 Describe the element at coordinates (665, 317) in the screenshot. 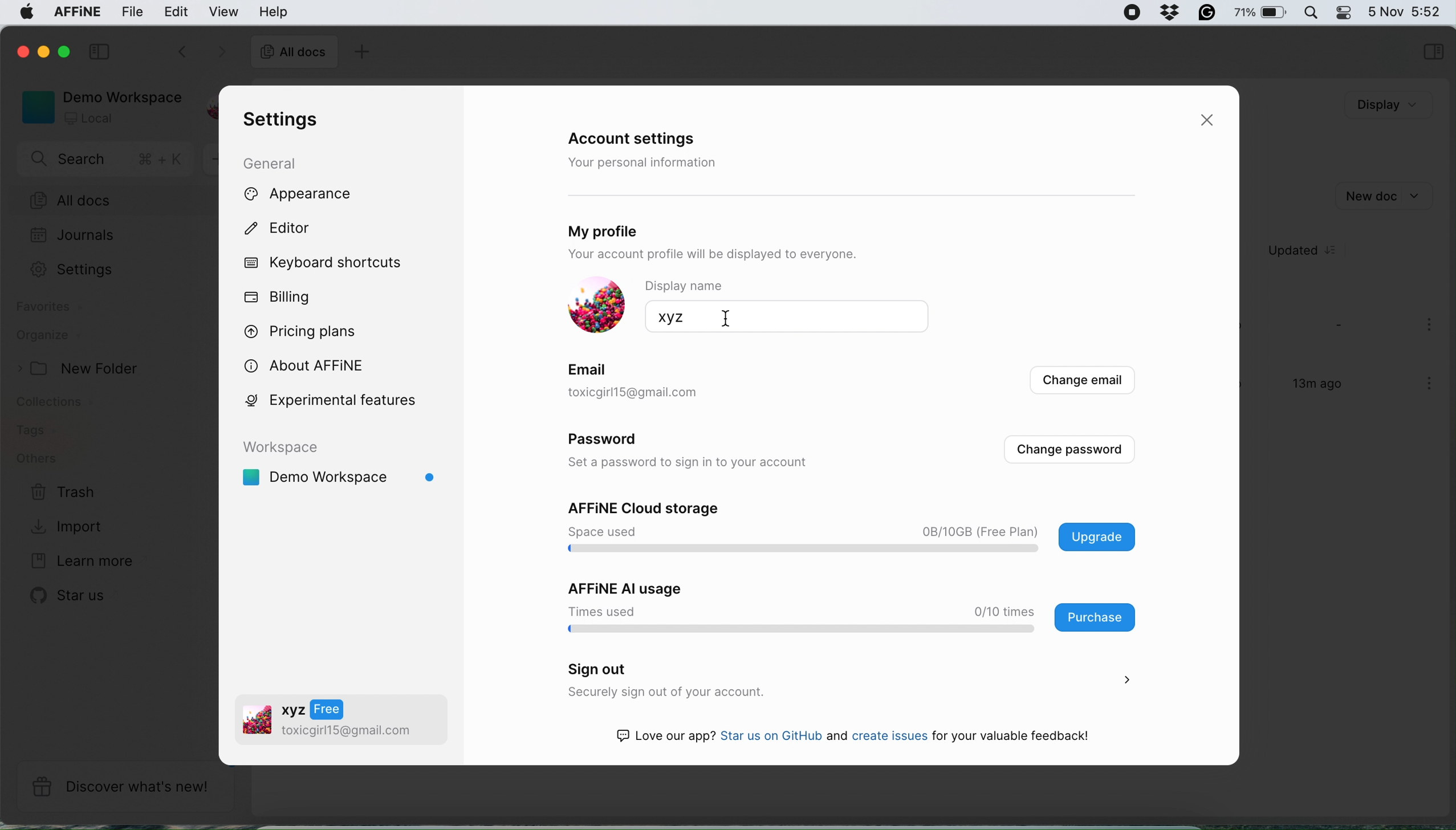

I see `xyz` at that location.